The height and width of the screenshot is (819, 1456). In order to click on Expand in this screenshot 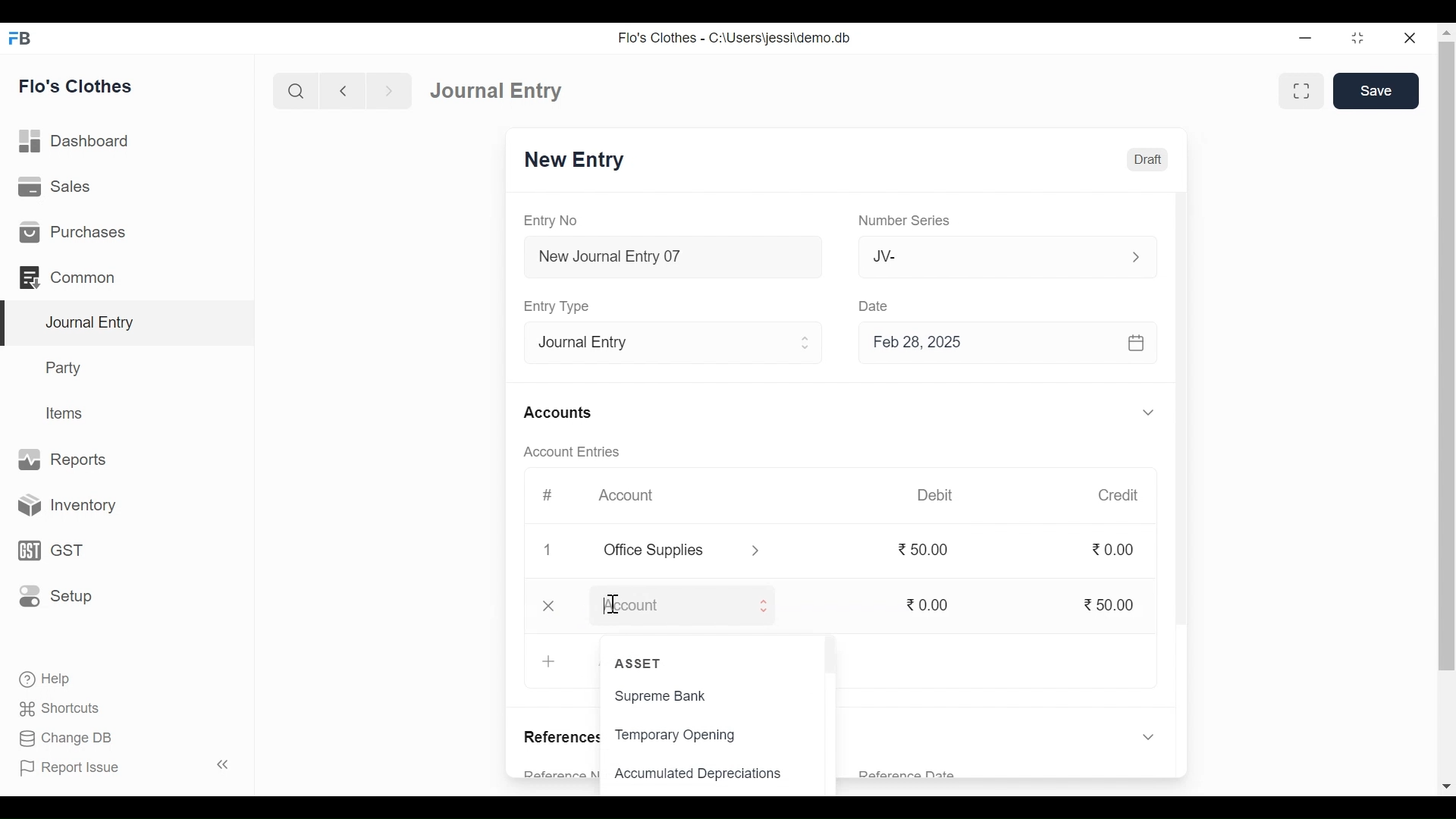, I will do `click(1150, 739)`.